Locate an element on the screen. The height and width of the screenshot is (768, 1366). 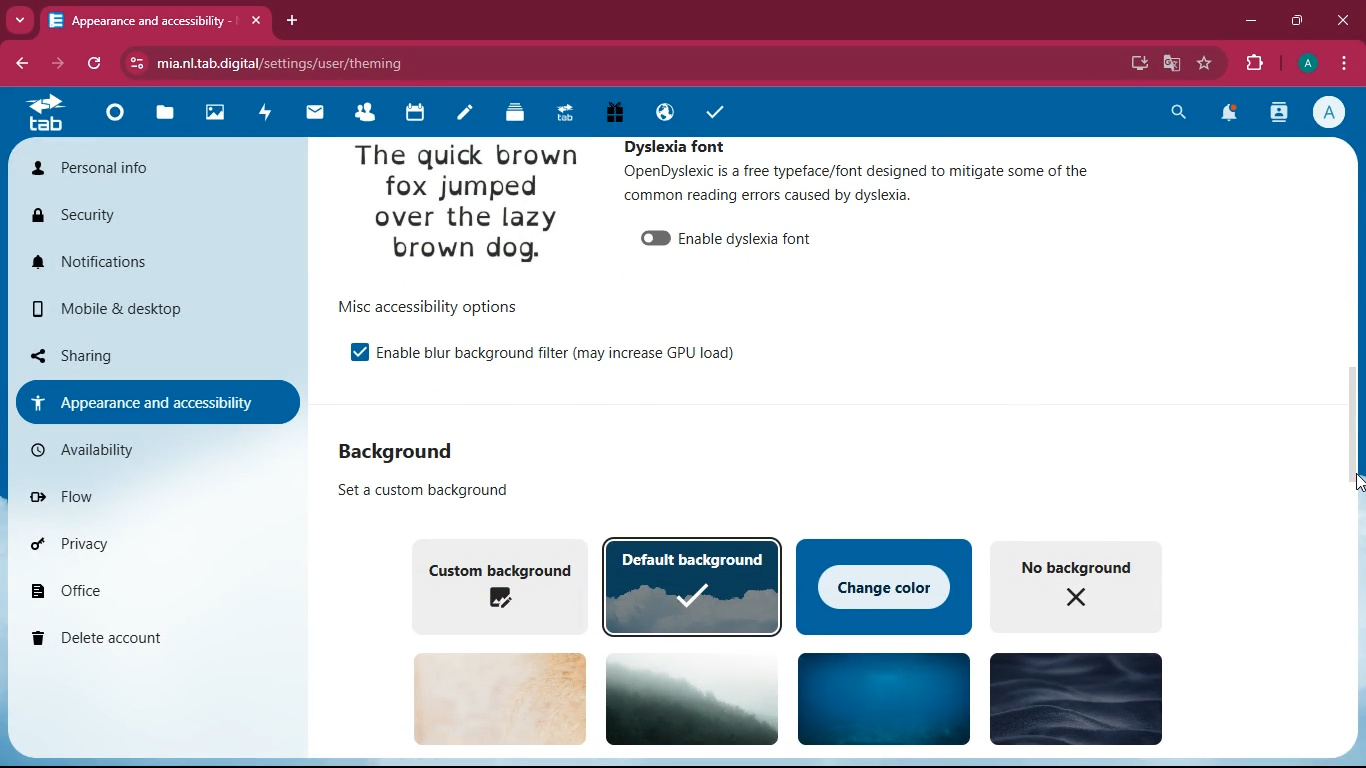
set a custom background is located at coordinates (432, 491).